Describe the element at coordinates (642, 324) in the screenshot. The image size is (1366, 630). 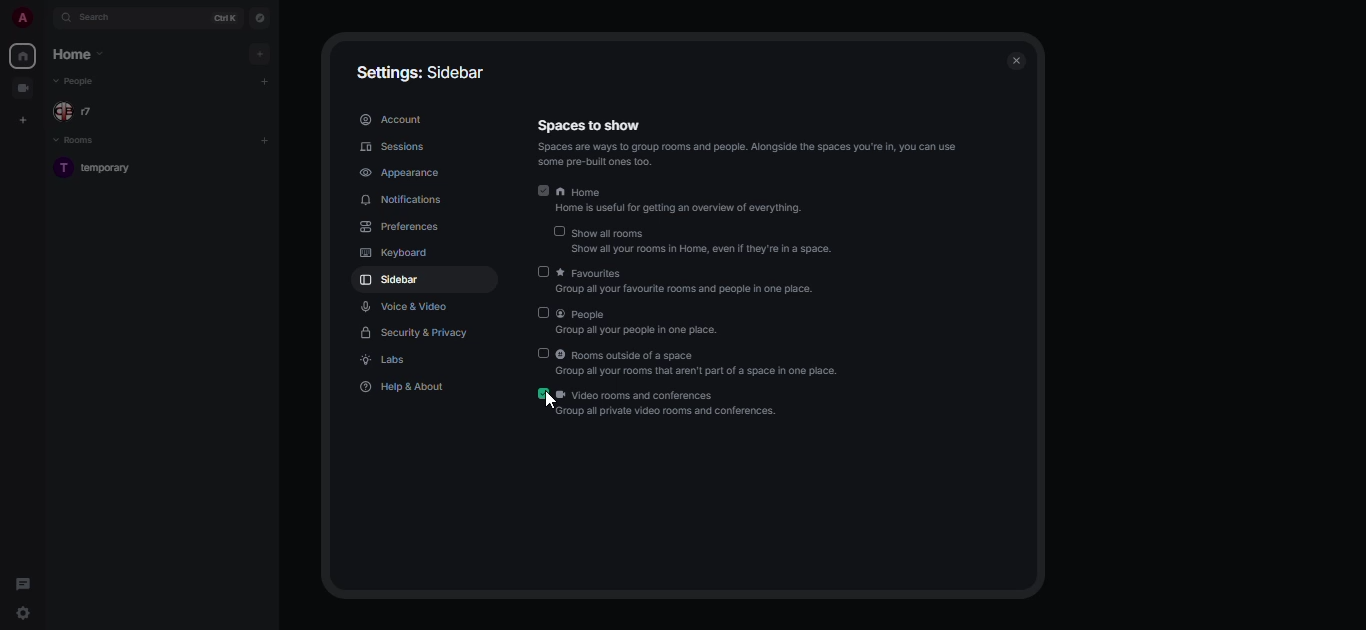
I see `people` at that location.